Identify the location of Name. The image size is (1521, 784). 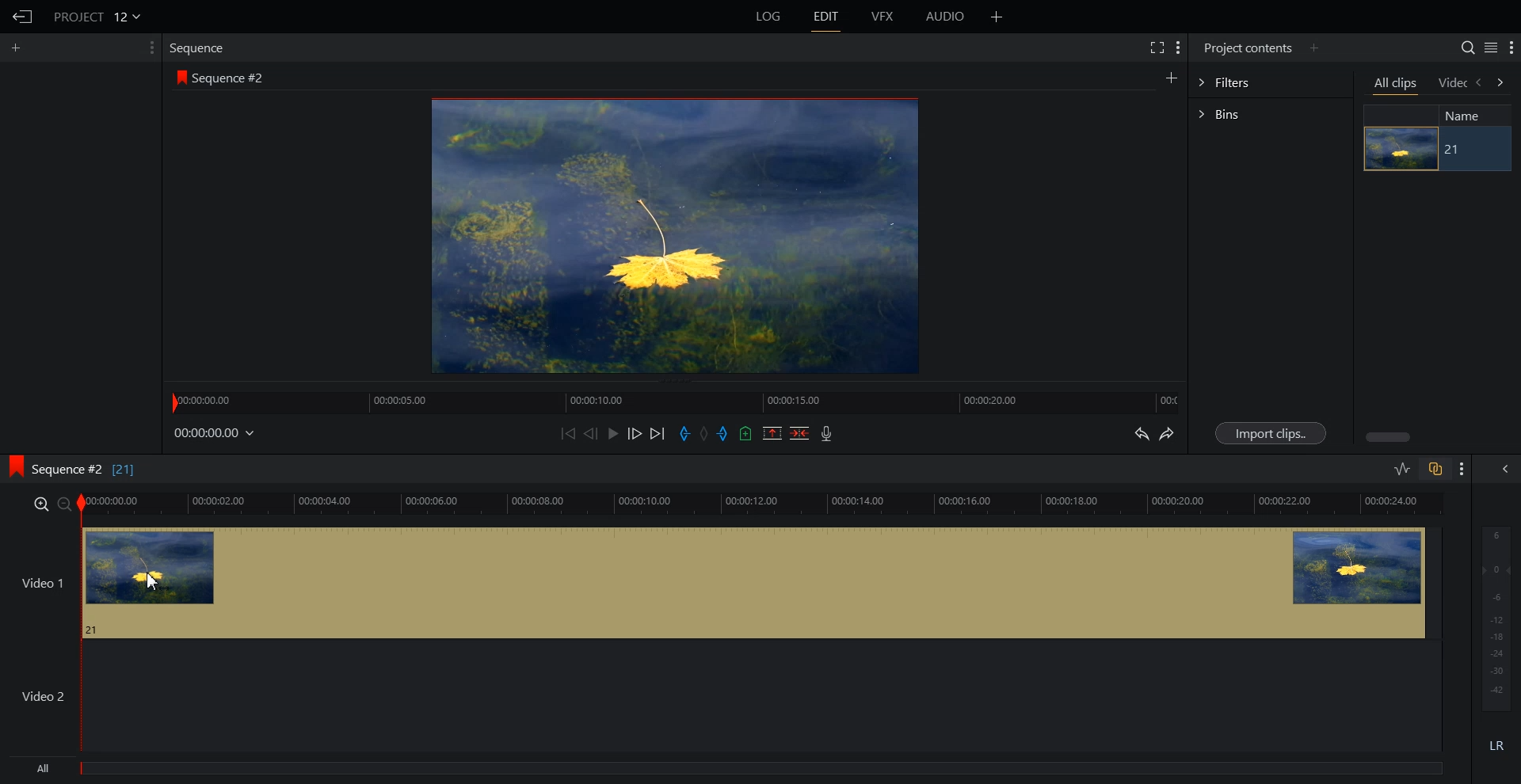
(1469, 116).